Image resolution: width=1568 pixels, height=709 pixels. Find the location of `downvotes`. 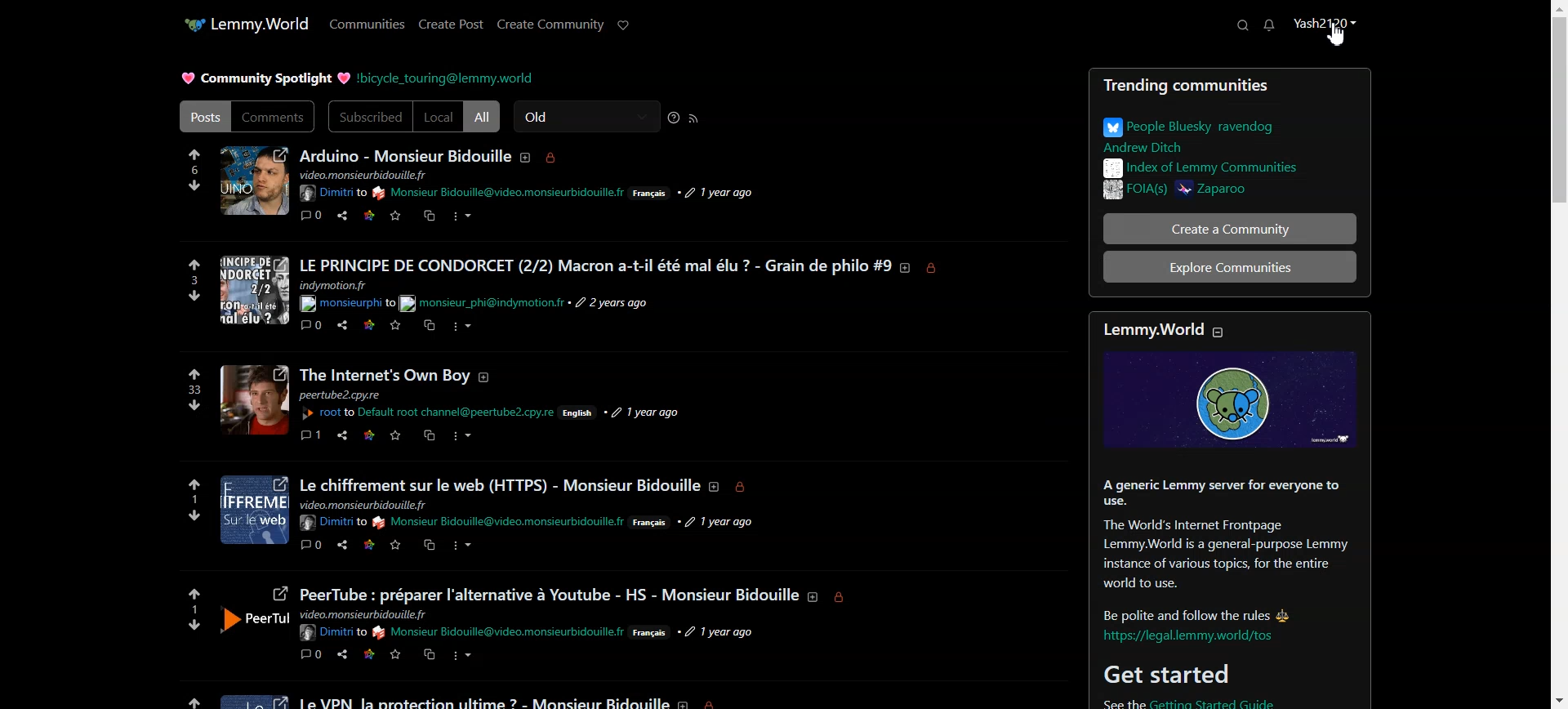

downvotes is located at coordinates (184, 516).